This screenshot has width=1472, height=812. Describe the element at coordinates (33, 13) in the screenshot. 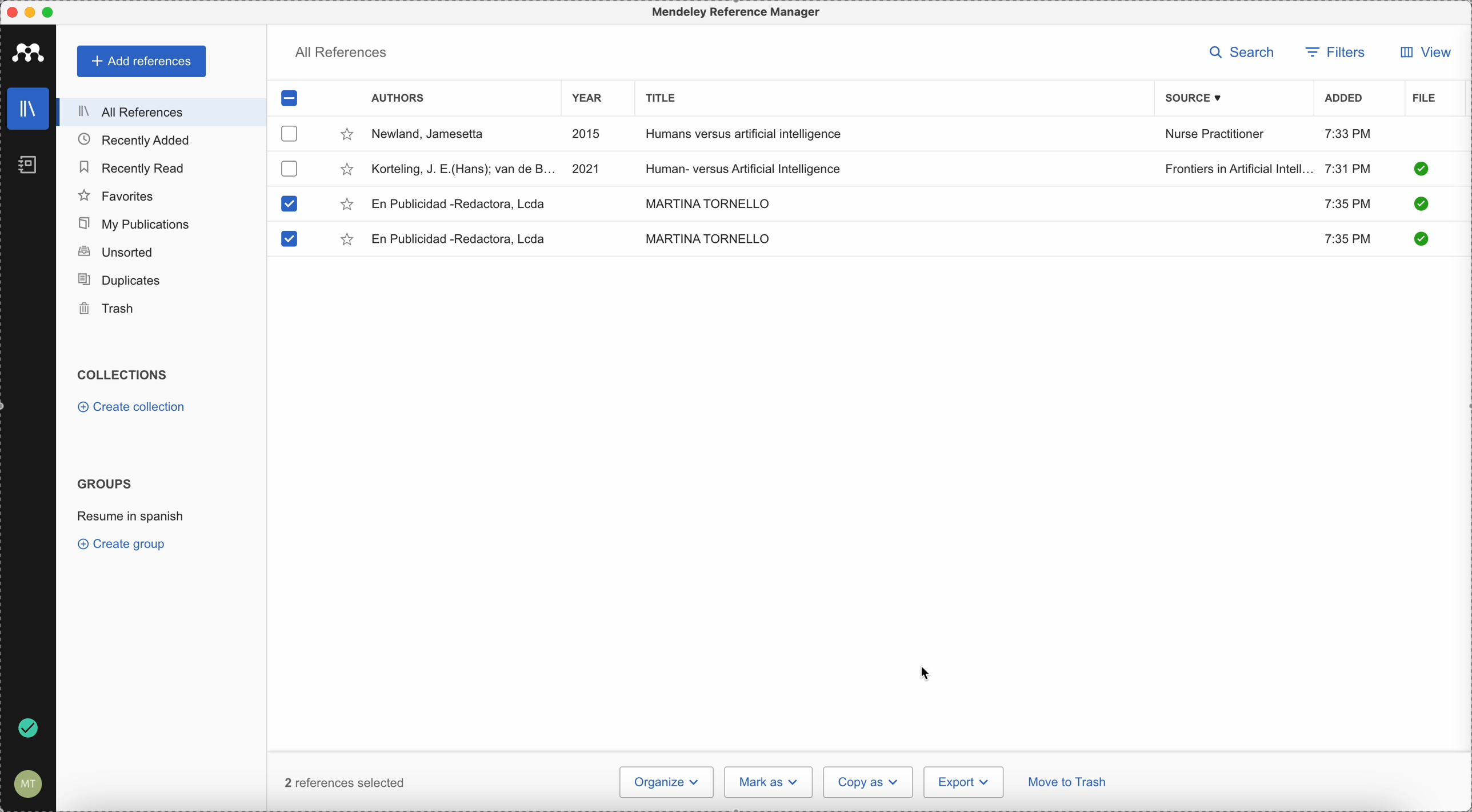

I see `minimize` at that location.